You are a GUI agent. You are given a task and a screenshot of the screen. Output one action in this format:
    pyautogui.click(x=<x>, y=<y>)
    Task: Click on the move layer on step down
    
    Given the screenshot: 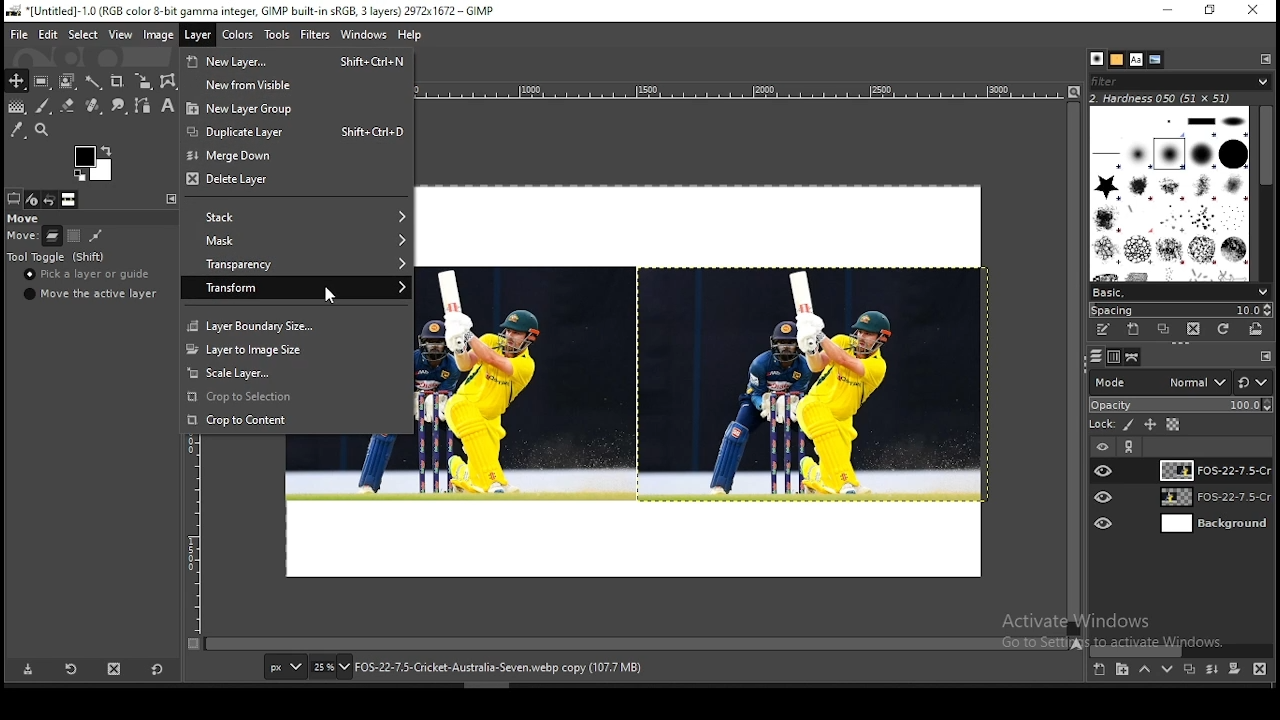 What is the action you would take?
    pyautogui.click(x=1168, y=672)
    